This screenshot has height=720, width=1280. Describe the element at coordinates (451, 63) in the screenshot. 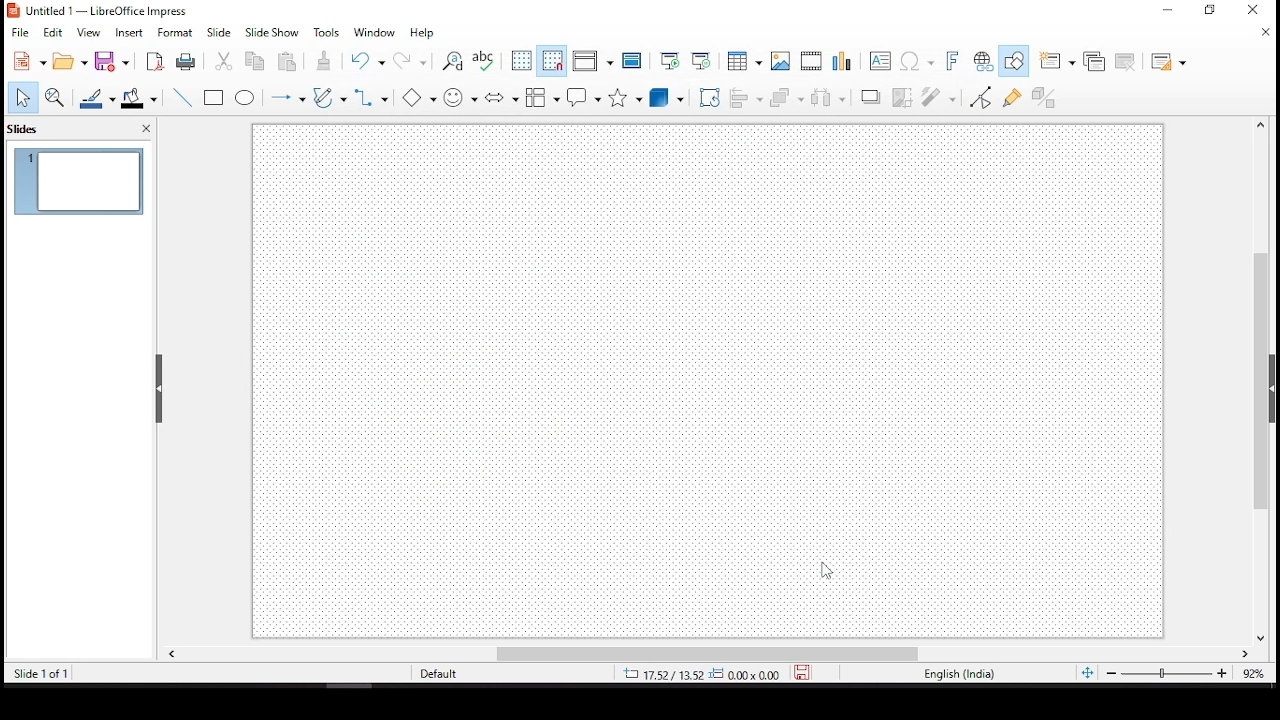

I see `find and replace` at that location.